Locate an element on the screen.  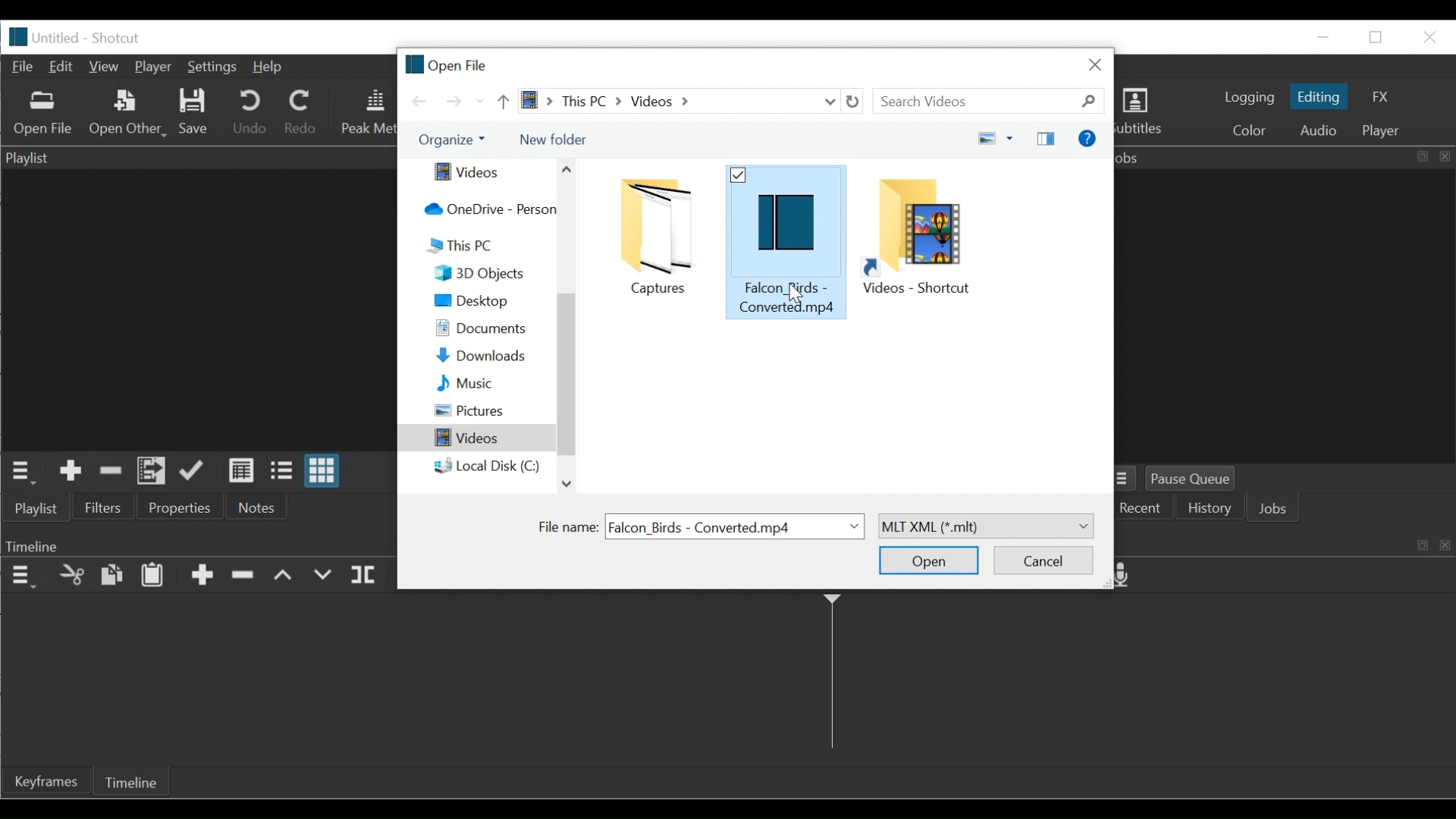
Get help is located at coordinates (1086, 138).